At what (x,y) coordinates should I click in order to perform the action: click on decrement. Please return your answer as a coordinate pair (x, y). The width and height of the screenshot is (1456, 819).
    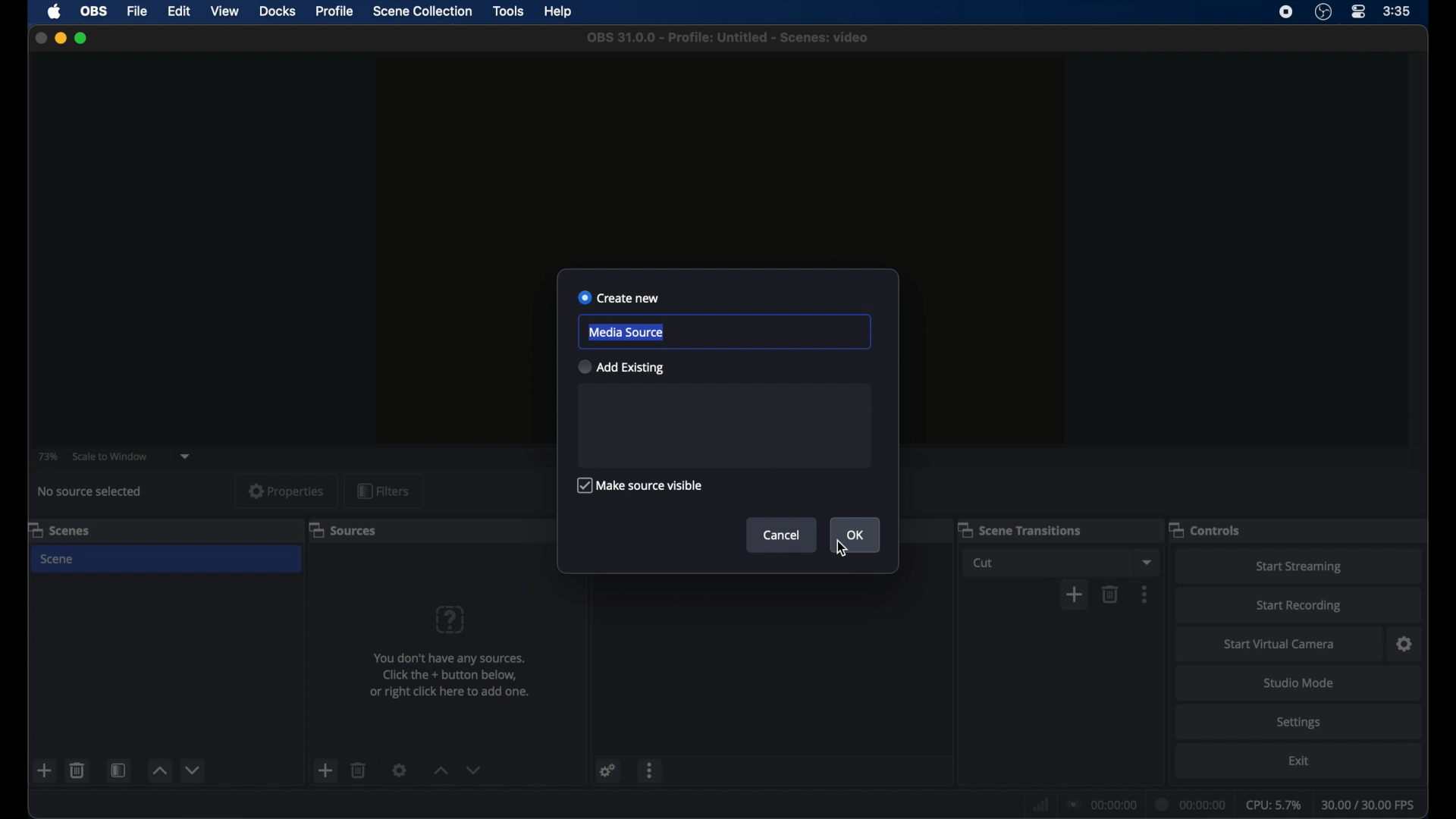
    Looking at the image, I should click on (193, 770).